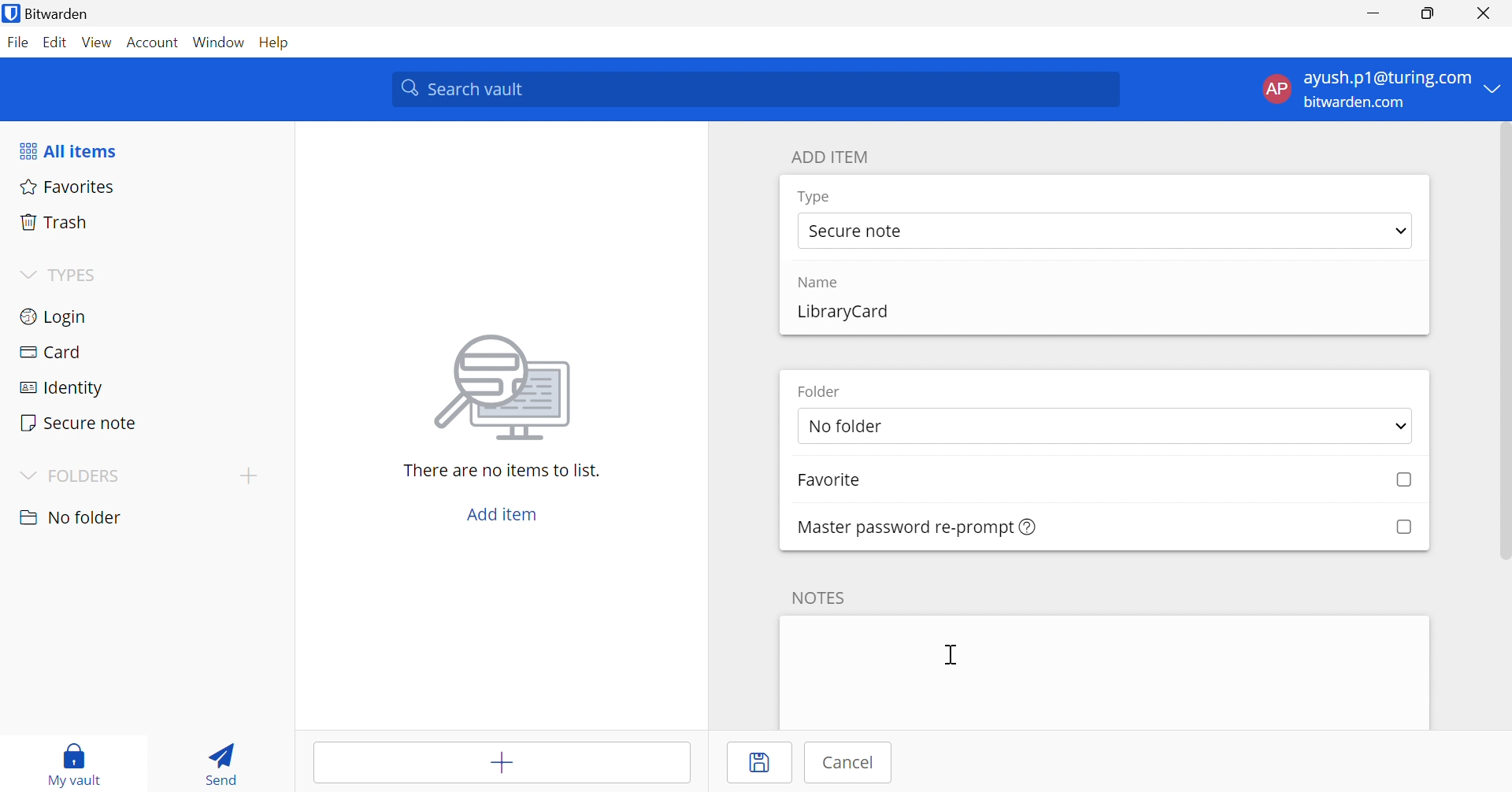  I want to click on , so click(824, 281).